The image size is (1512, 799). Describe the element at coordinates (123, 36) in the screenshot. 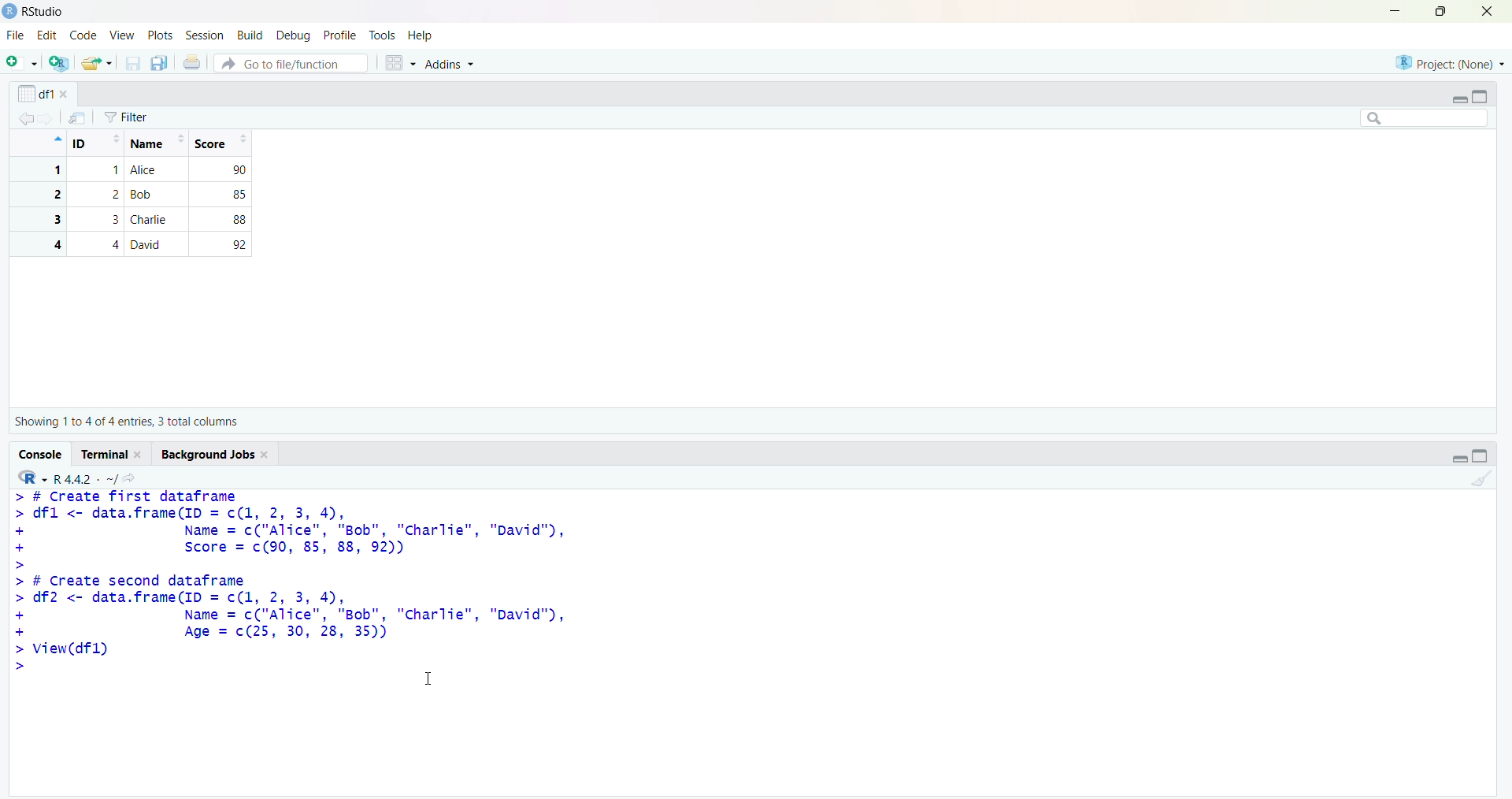

I see `view` at that location.